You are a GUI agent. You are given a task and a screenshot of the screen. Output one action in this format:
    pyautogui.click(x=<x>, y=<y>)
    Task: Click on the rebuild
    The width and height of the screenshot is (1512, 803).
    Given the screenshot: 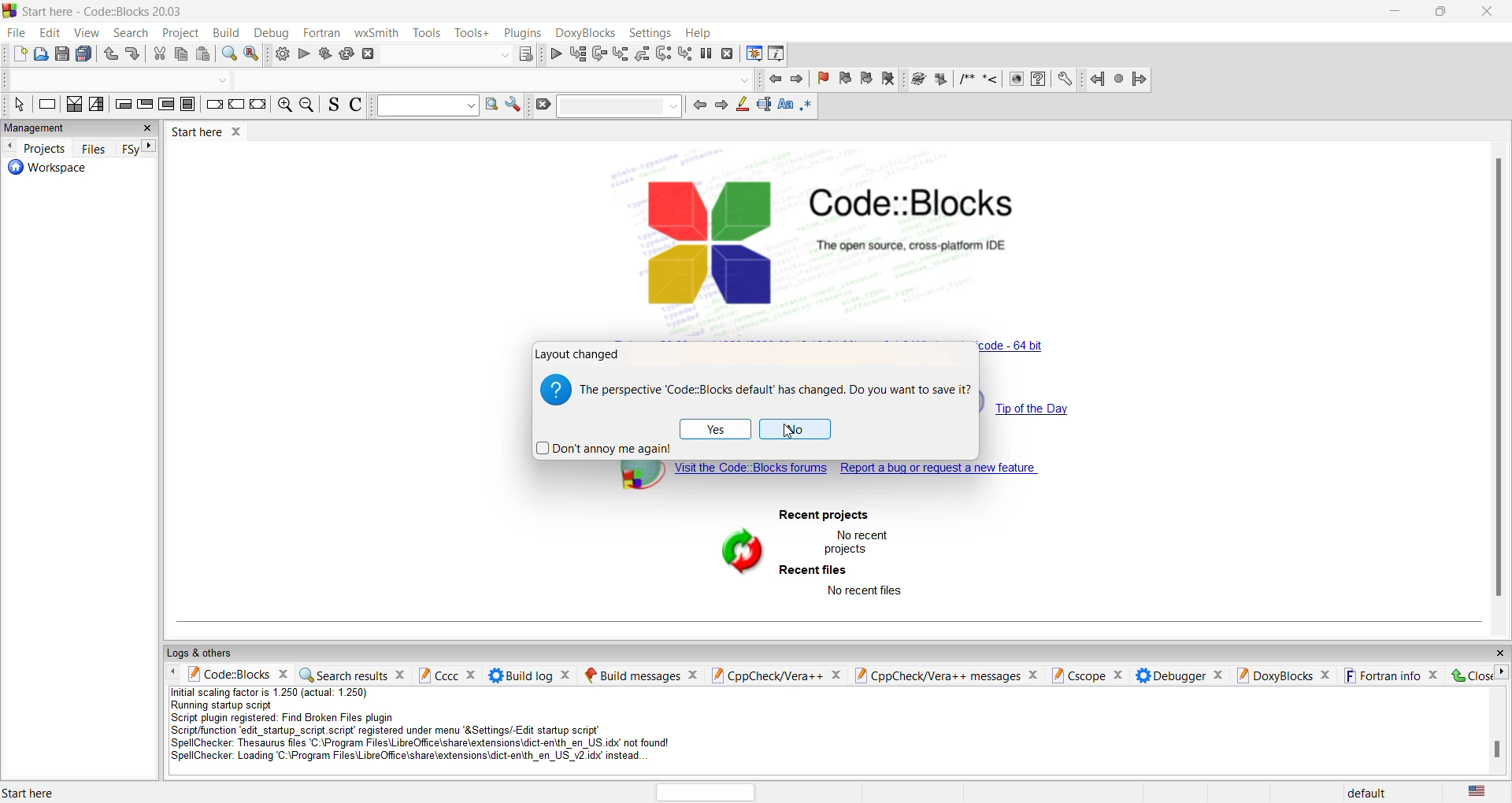 What is the action you would take?
    pyautogui.click(x=347, y=54)
    